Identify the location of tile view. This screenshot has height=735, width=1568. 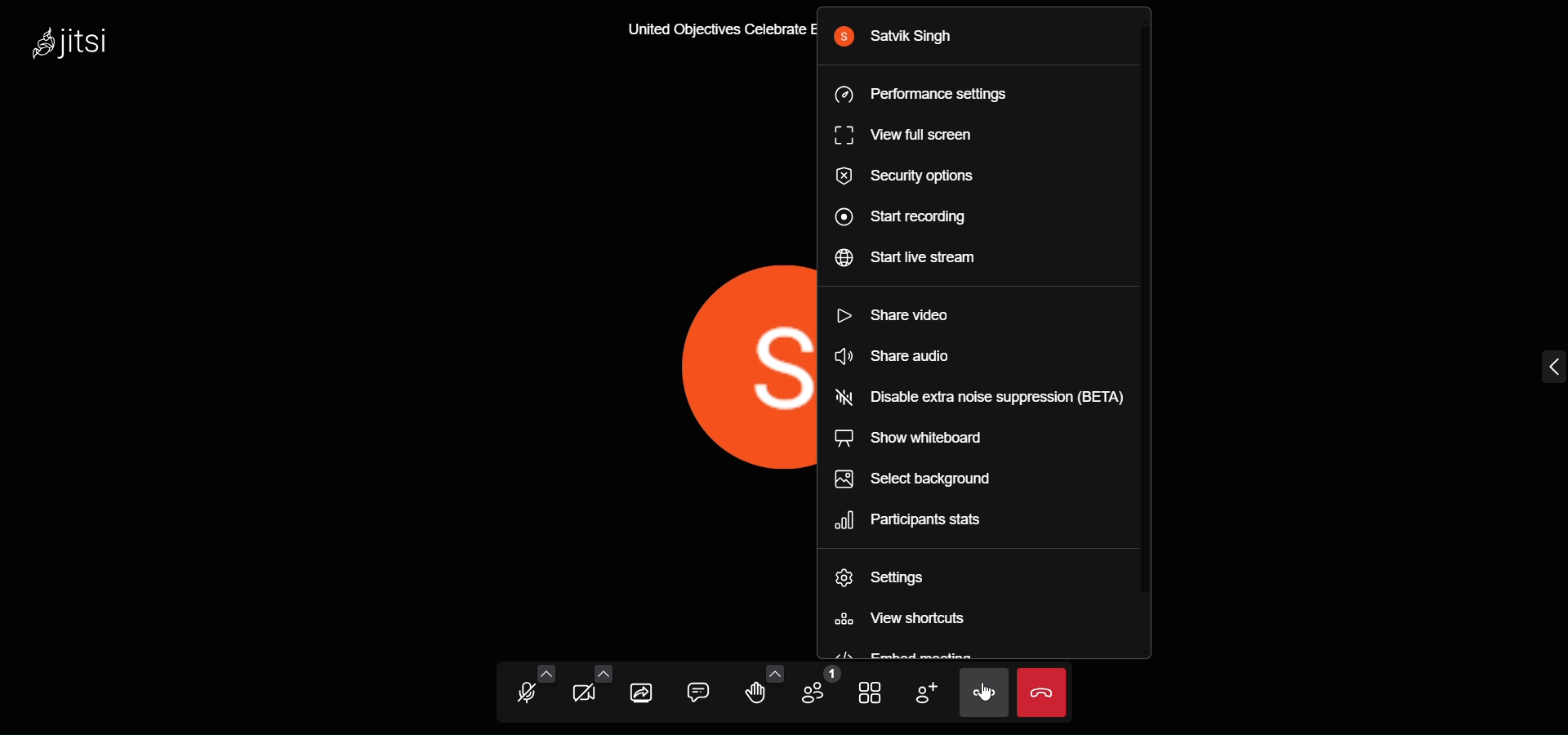
(871, 693).